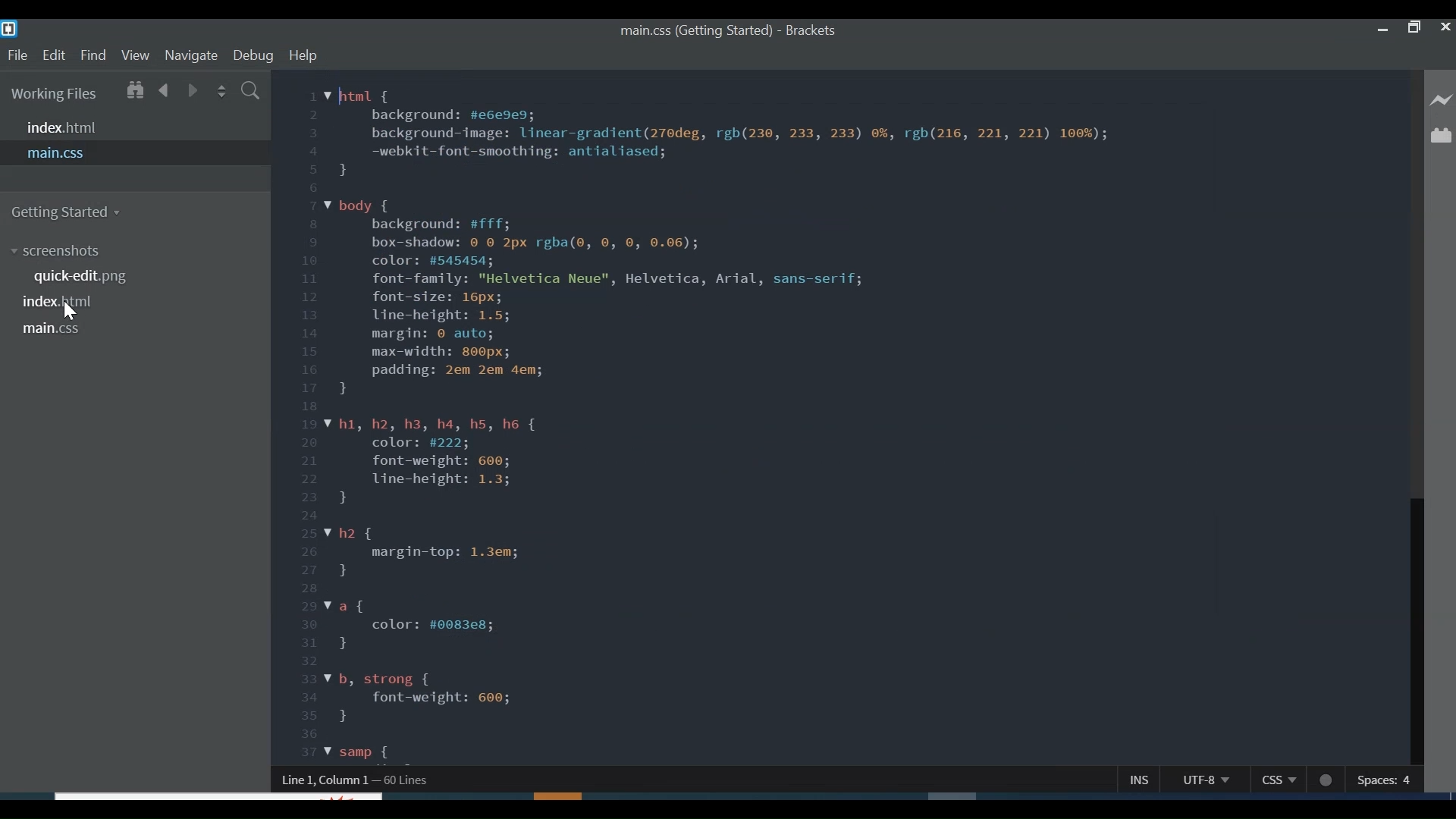 The height and width of the screenshot is (819, 1456). I want to click on index.html file, so click(69, 302).